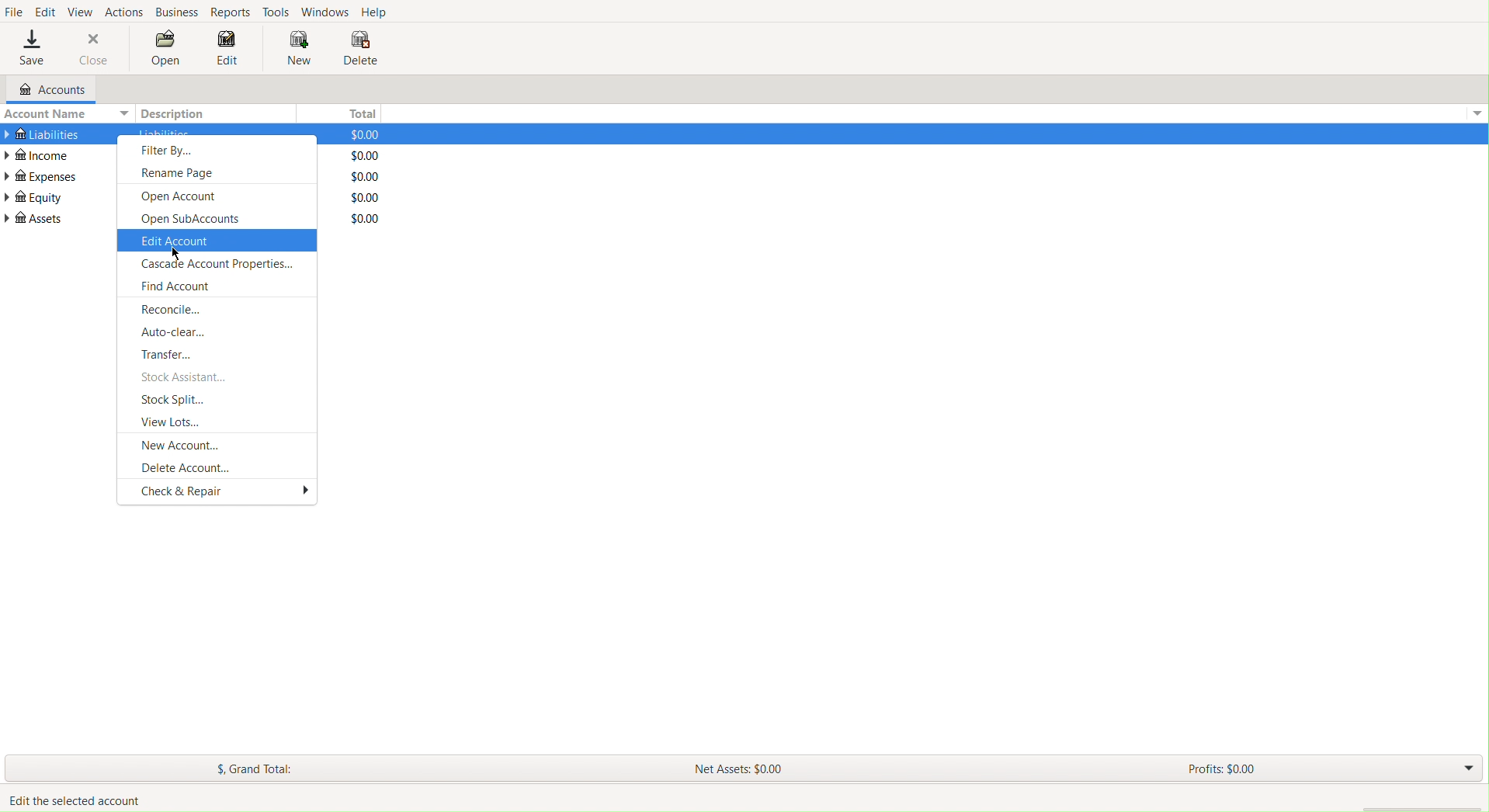 Image resolution: width=1489 pixels, height=812 pixels. Describe the element at coordinates (358, 134) in the screenshot. I see `$0.00` at that location.